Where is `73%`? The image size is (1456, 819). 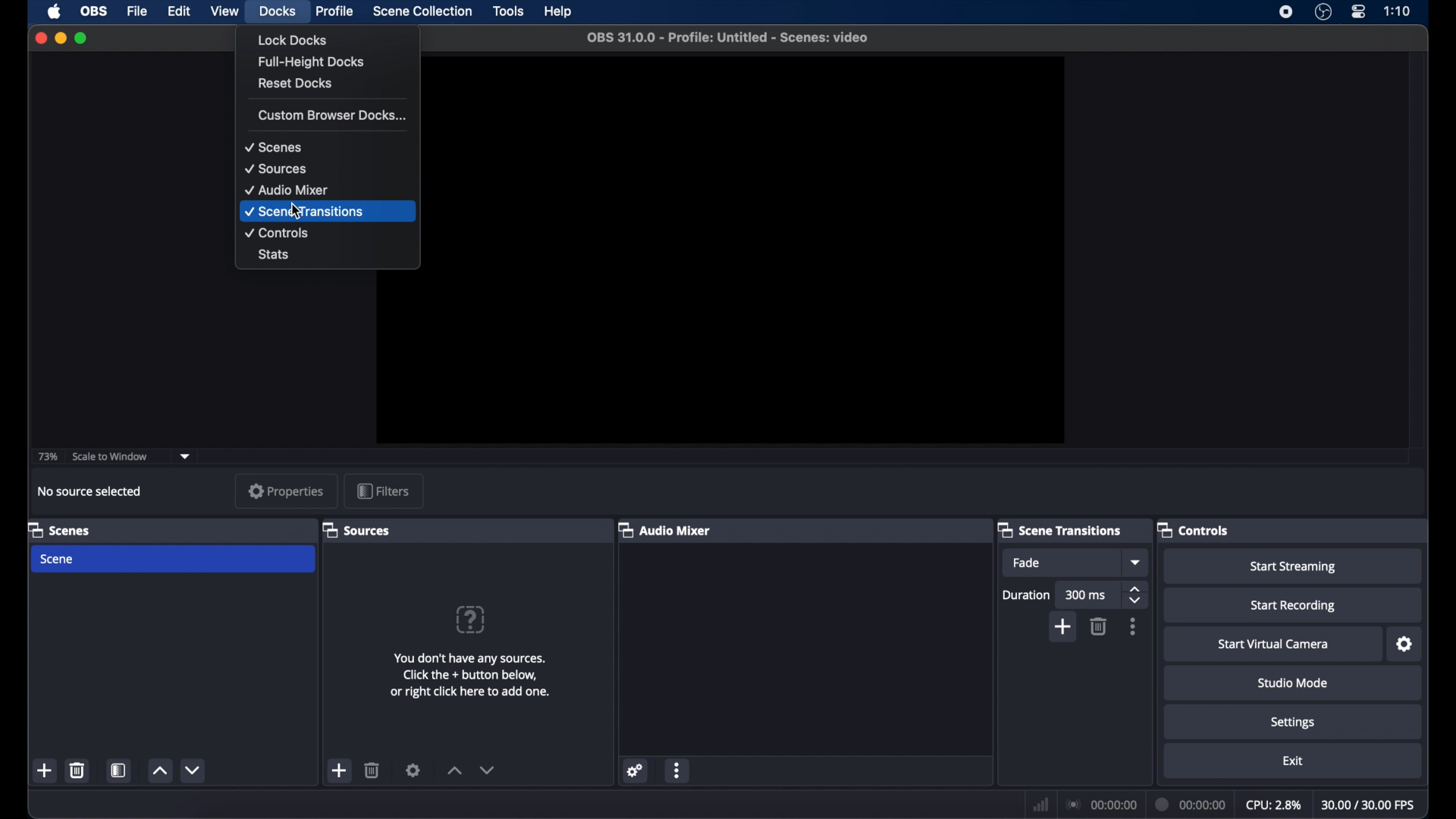 73% is located at coordinates (46, 457).